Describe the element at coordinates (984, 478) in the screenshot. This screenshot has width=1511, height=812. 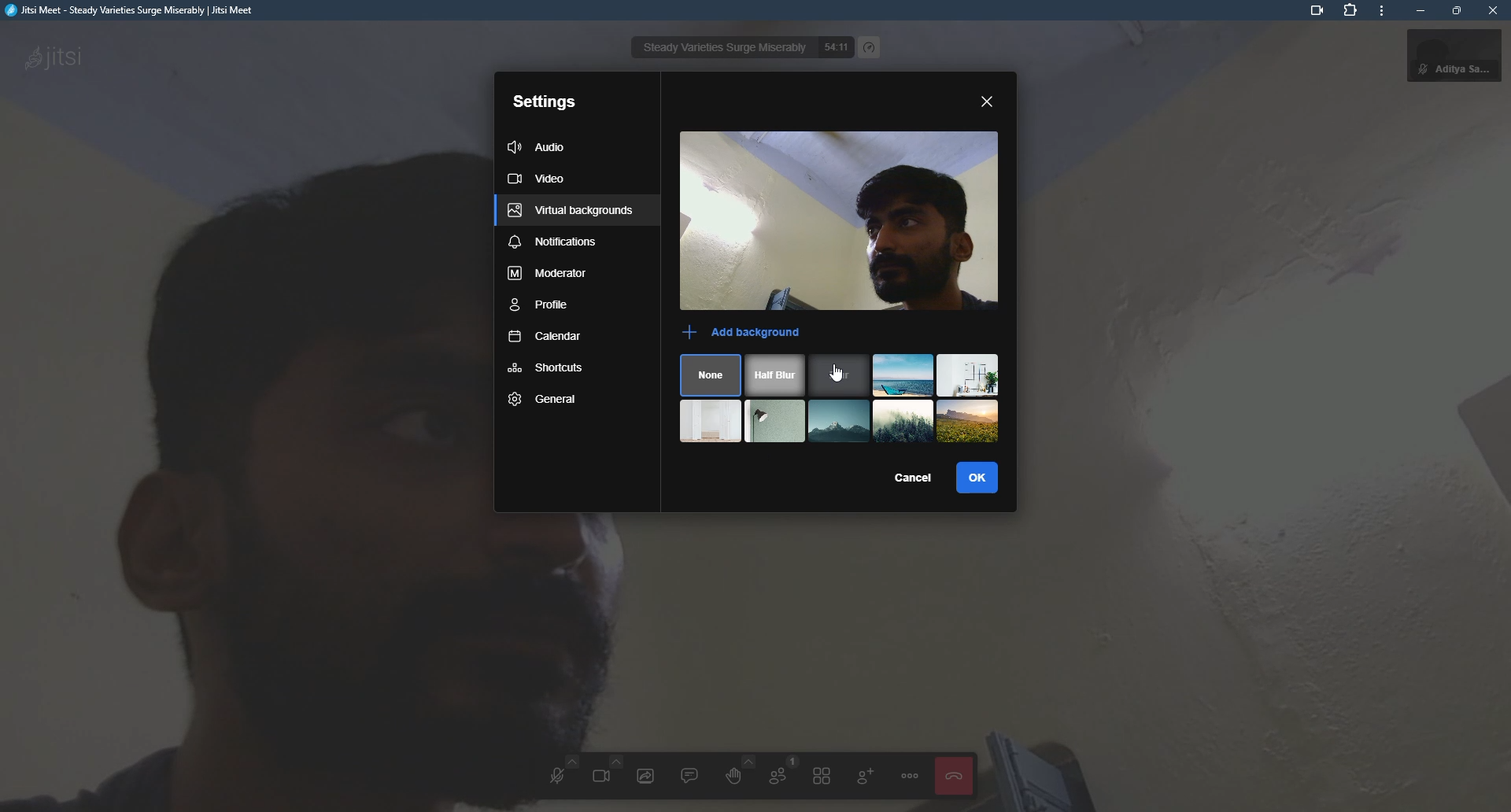
I see `ok` at that location.